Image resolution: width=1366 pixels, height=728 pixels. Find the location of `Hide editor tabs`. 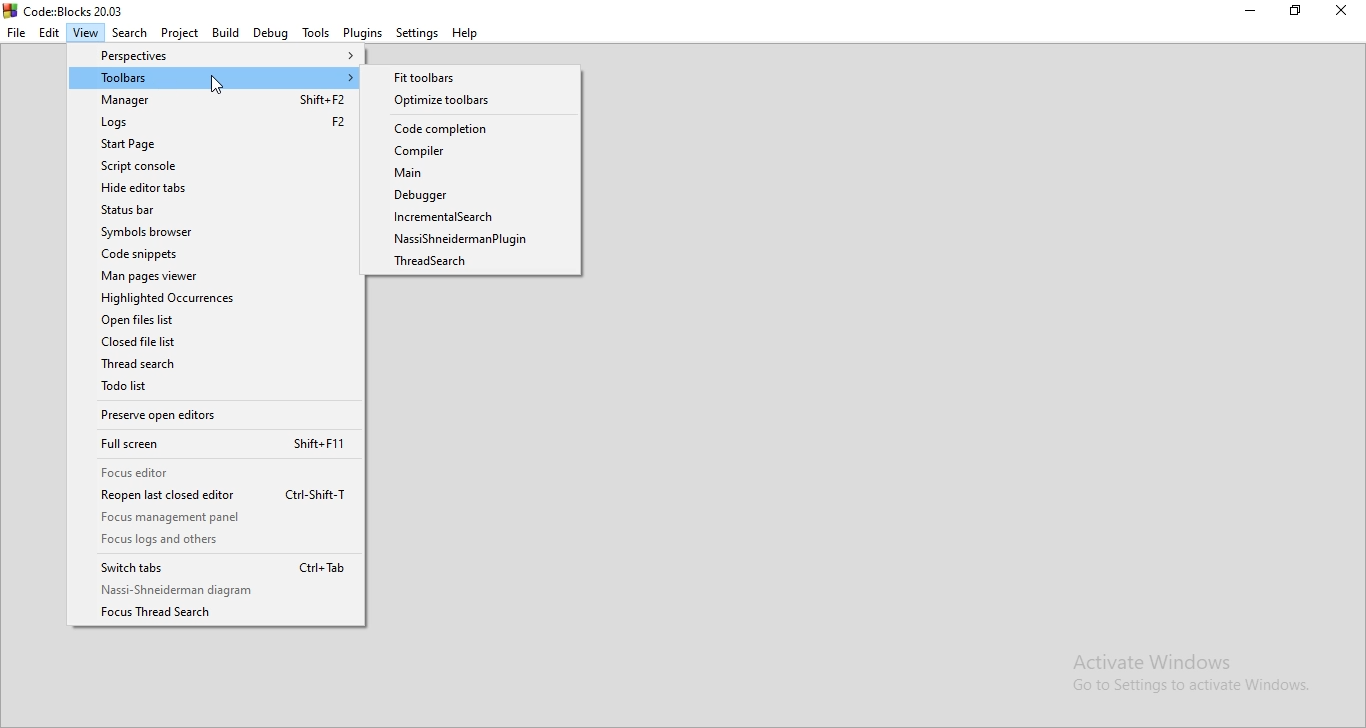

Hide editor tabs is located at coordinates (213, 188).